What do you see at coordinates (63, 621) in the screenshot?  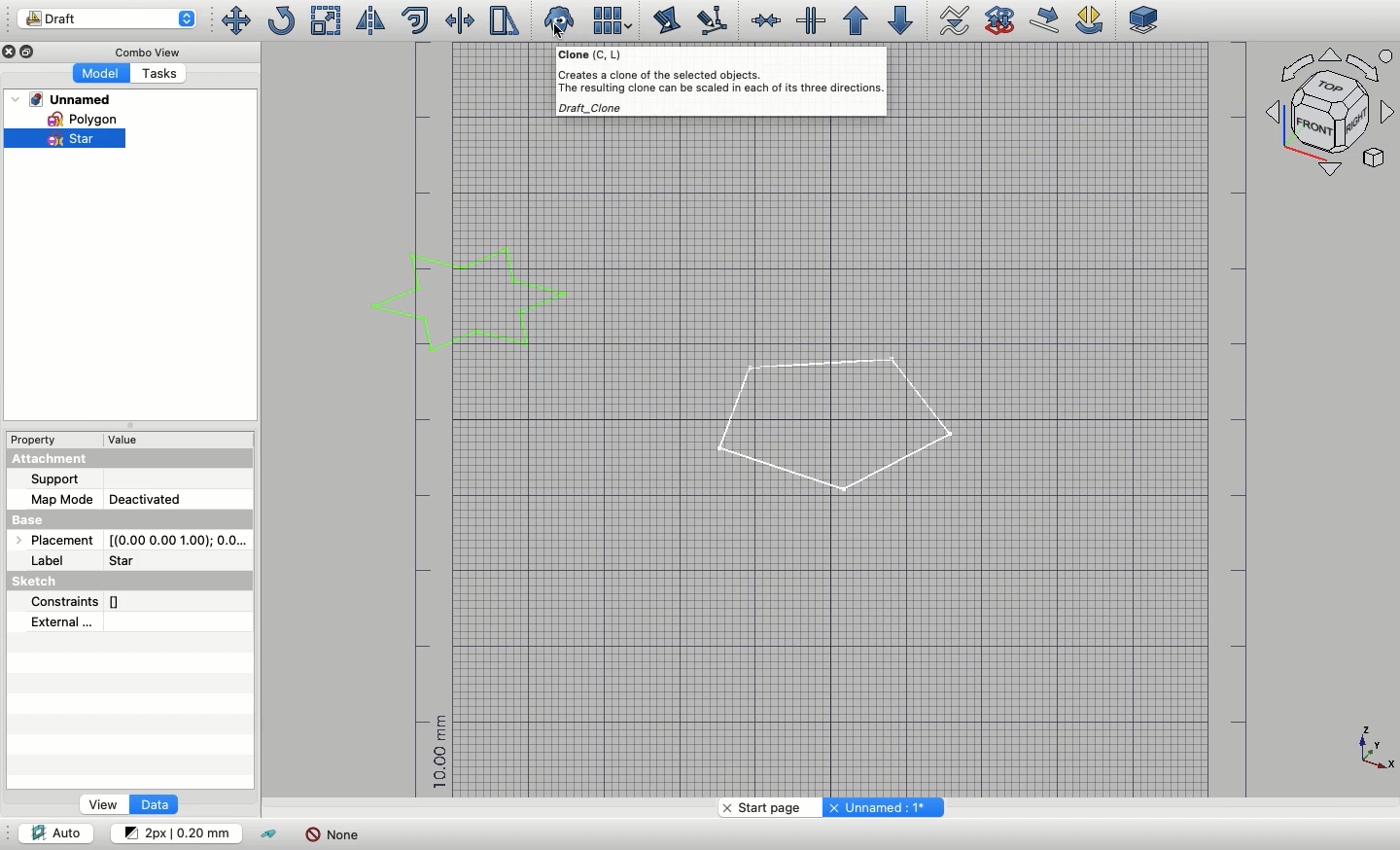 I see `External` at bounding box center [63, 621].